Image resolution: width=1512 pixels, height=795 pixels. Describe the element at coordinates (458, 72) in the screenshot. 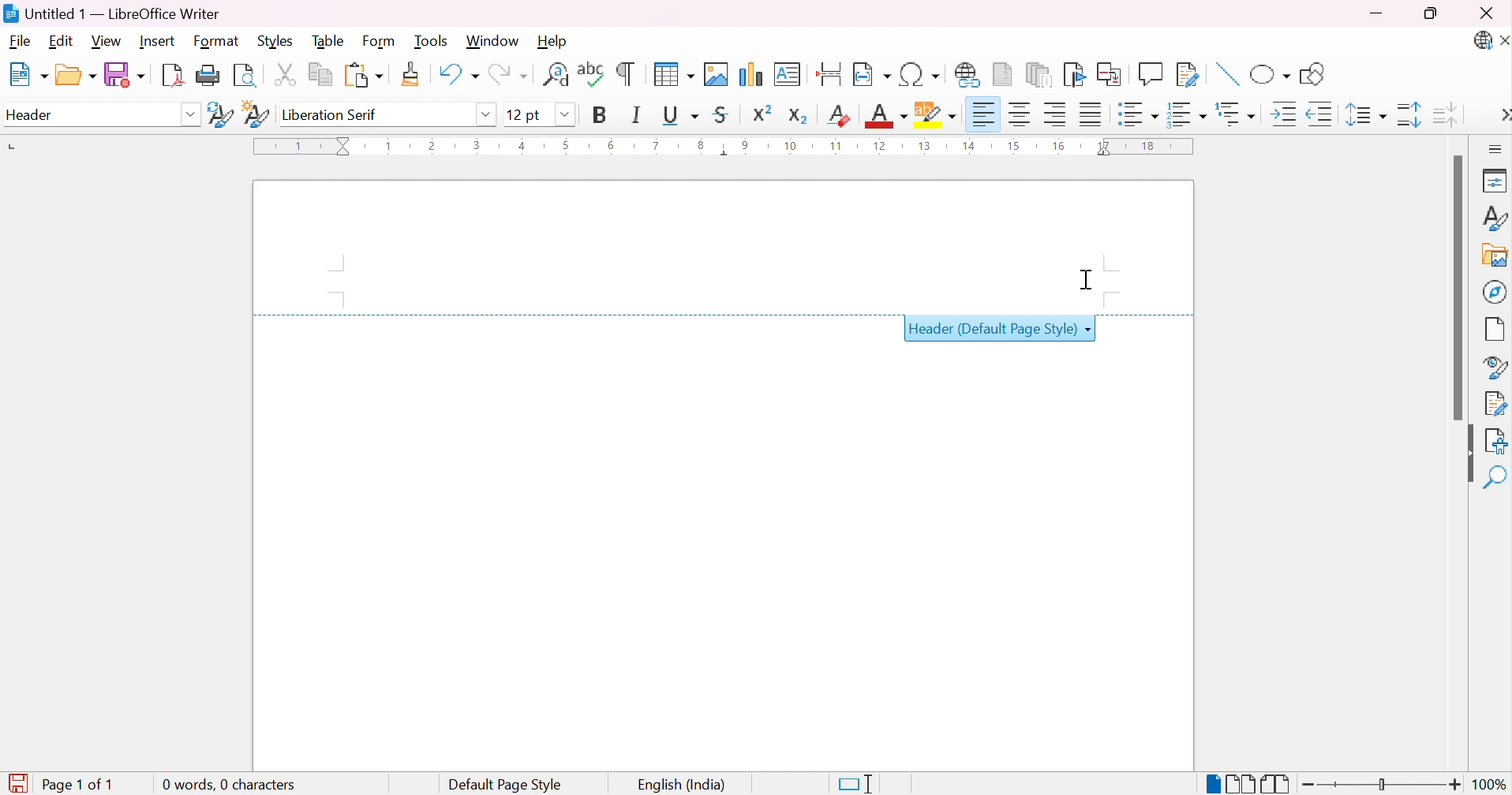

I see `Undo` at that location.